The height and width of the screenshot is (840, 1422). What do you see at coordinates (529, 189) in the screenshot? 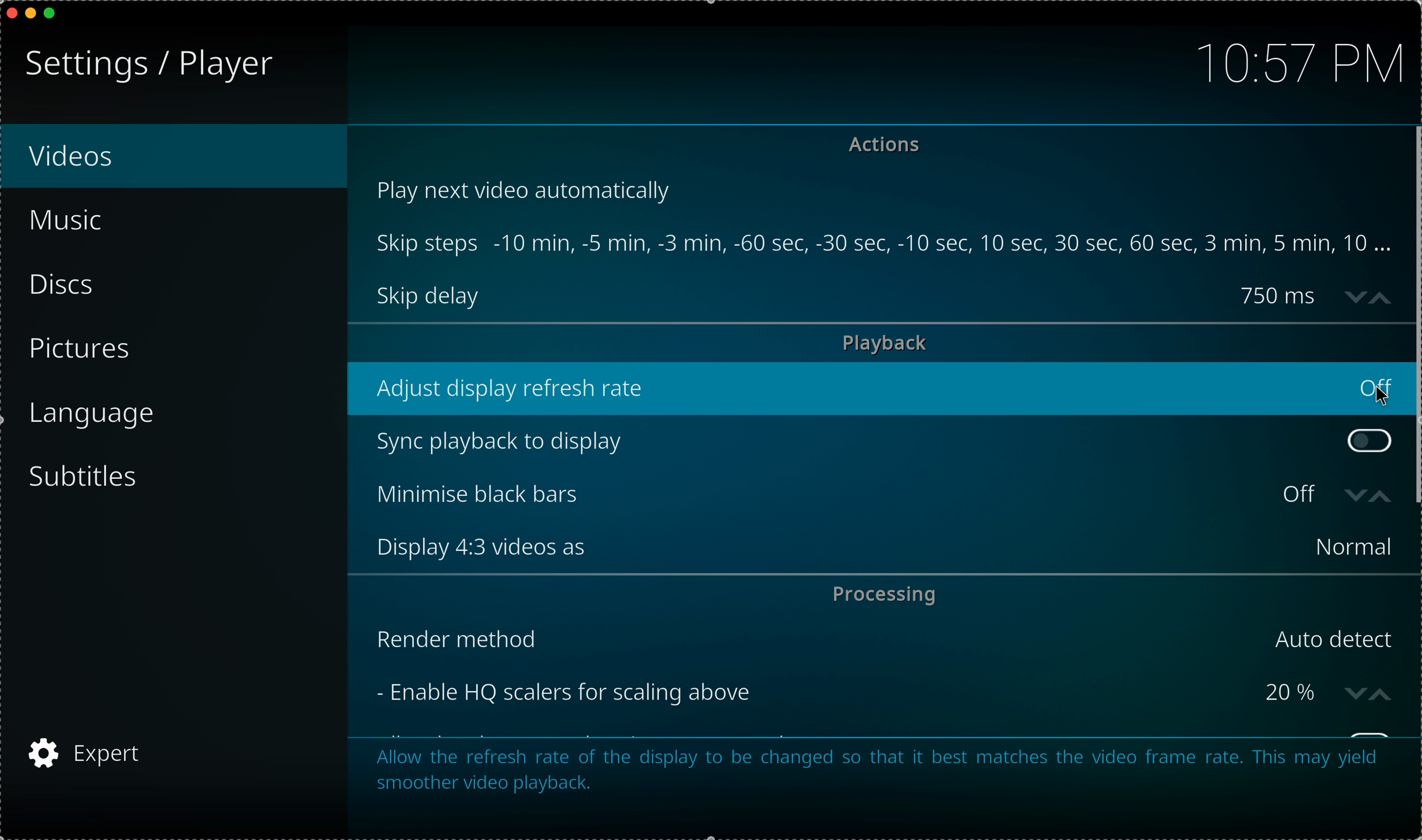
I see `play next video automatically` at bounding box center [529, 189].